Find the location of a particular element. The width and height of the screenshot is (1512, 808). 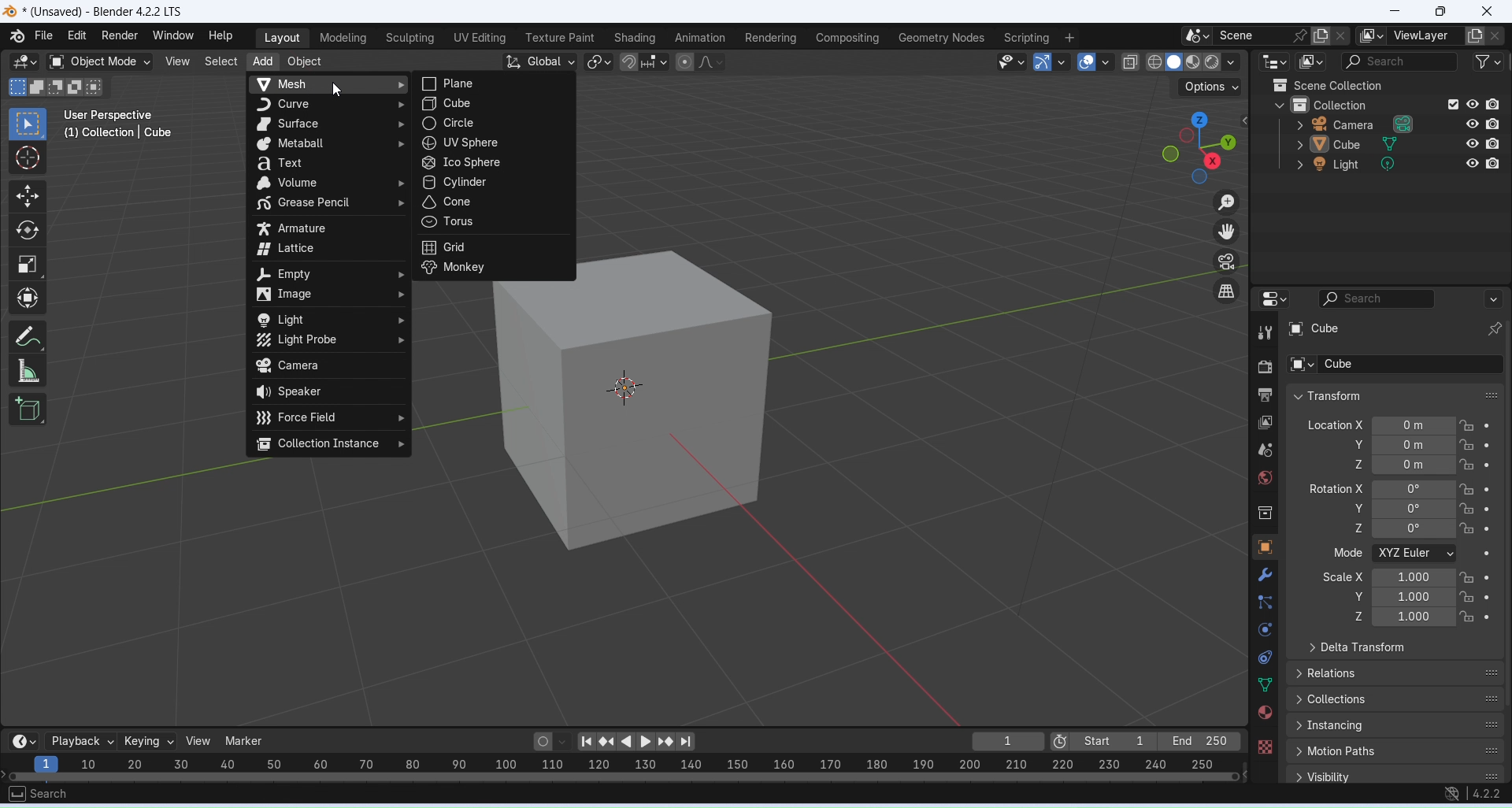

Help is located at coordinates (220, 36).